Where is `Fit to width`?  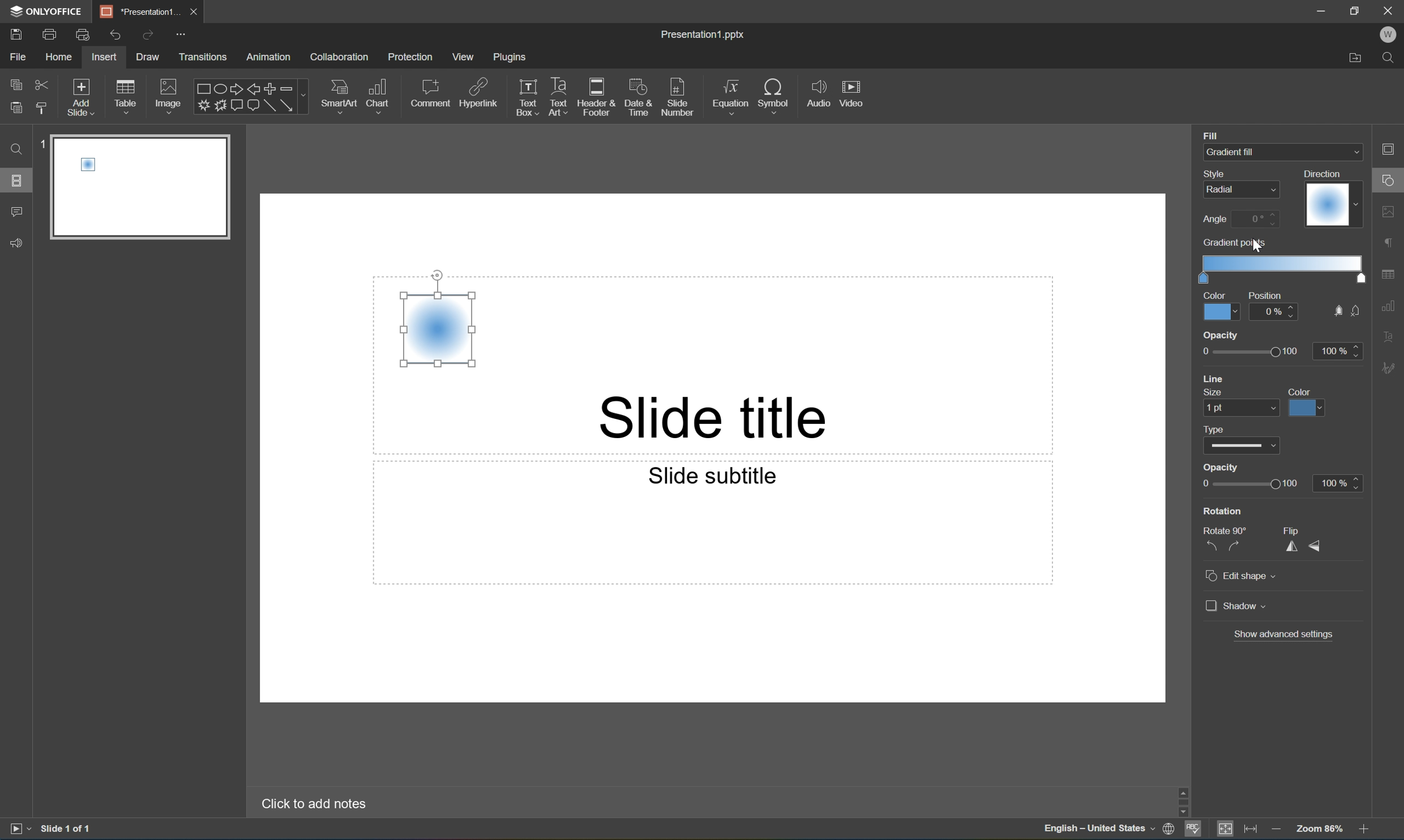 Fit to width is located at coordinates (1252, 828).